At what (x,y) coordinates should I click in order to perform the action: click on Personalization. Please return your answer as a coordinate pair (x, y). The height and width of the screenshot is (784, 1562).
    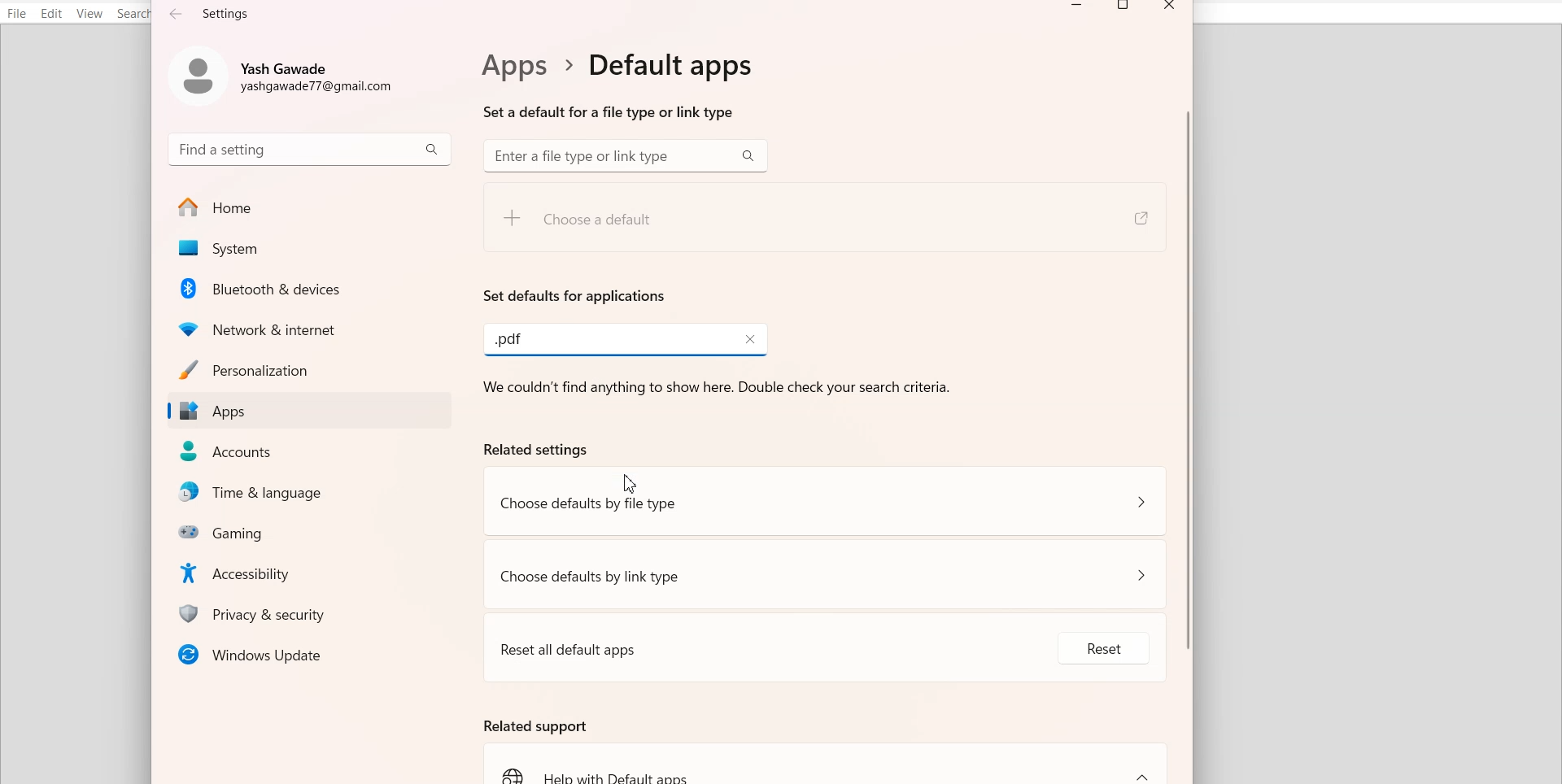
    Looking at the image, I should click on (308, 369).